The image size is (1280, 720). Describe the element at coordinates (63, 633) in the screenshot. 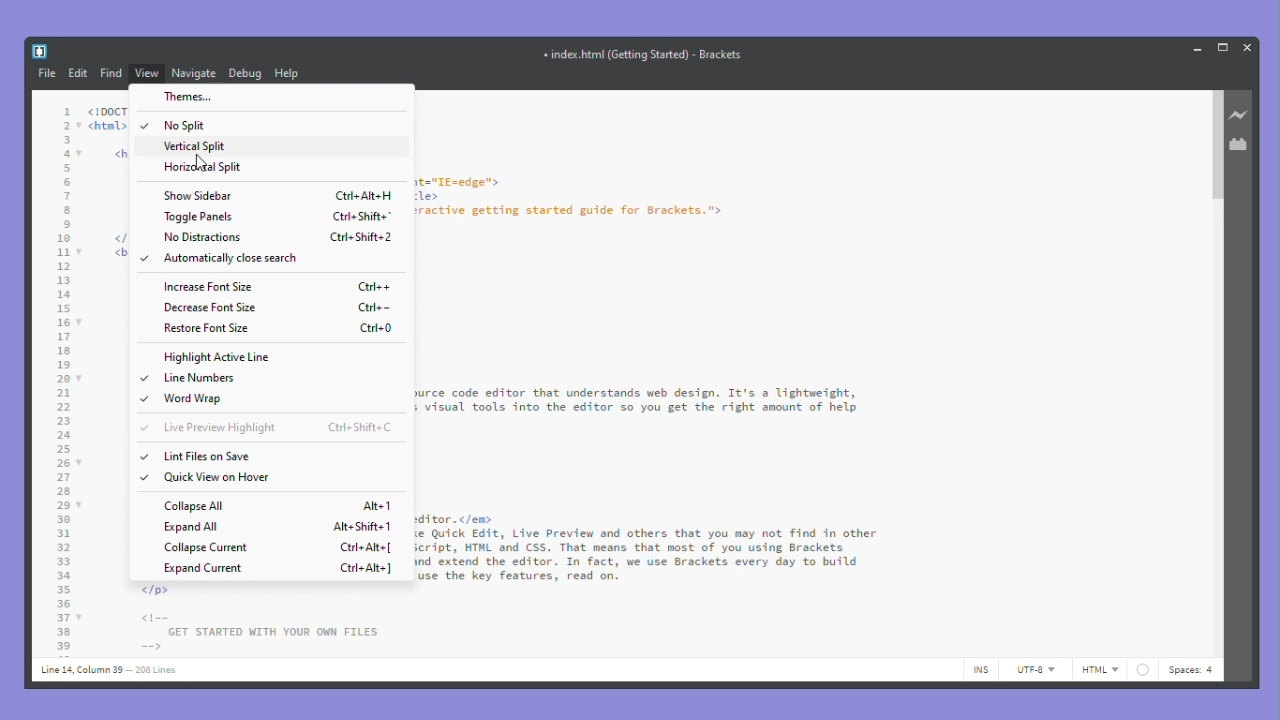

I see `38` at that location.